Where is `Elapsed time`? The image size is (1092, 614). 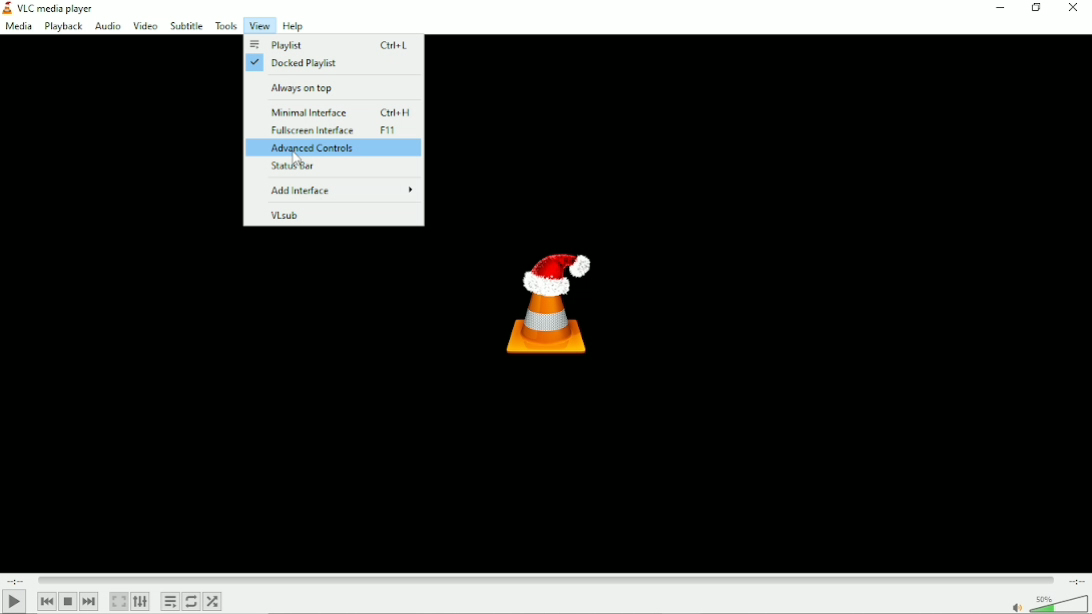
Elapsed time is located at coordinates (15, 579).